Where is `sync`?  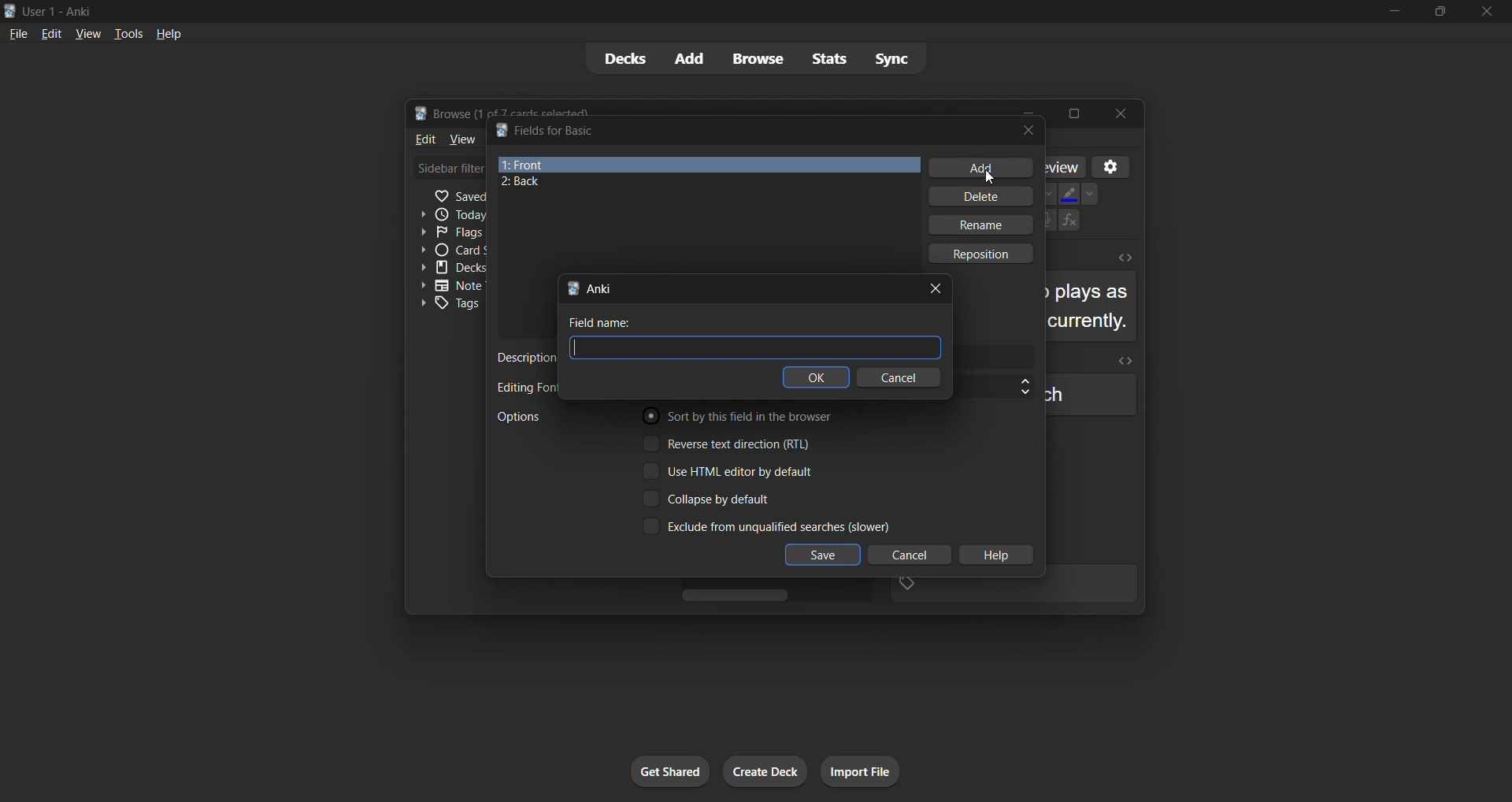
sync is located at coordinates (896, 58).